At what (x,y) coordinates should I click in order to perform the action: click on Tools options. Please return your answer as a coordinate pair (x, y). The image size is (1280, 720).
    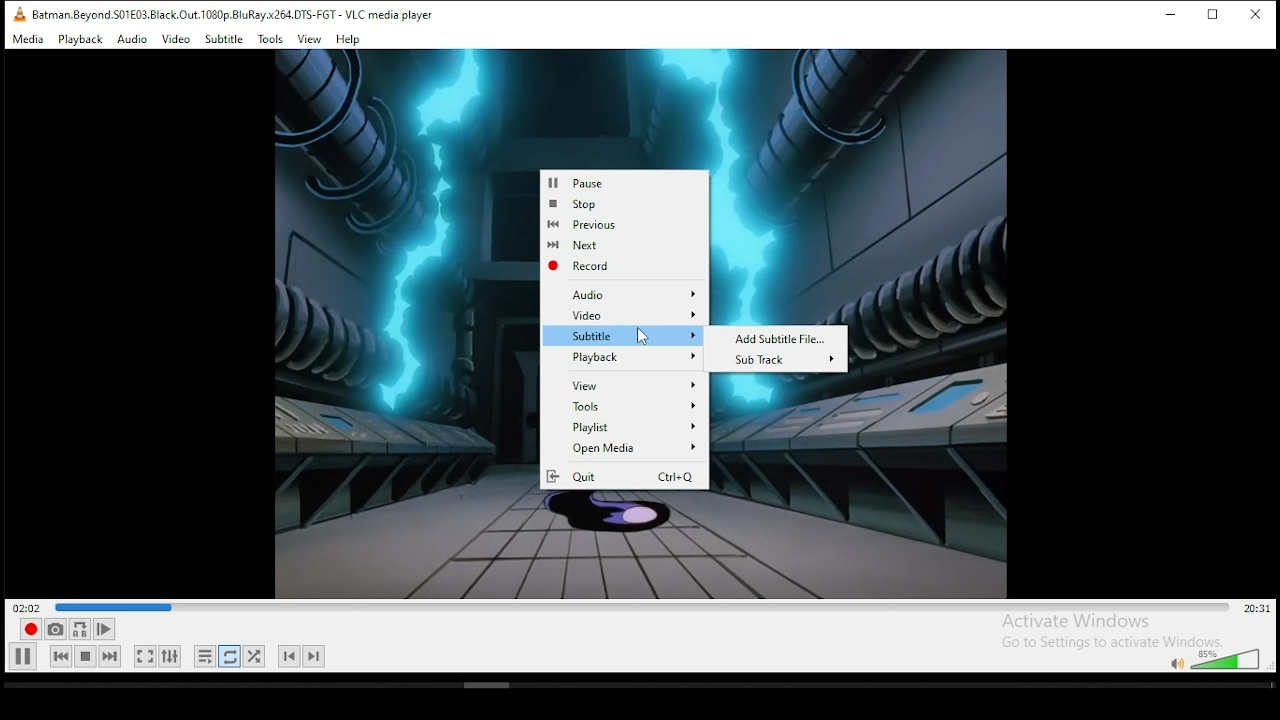
    Looking at the image, I should click on (625, 406).